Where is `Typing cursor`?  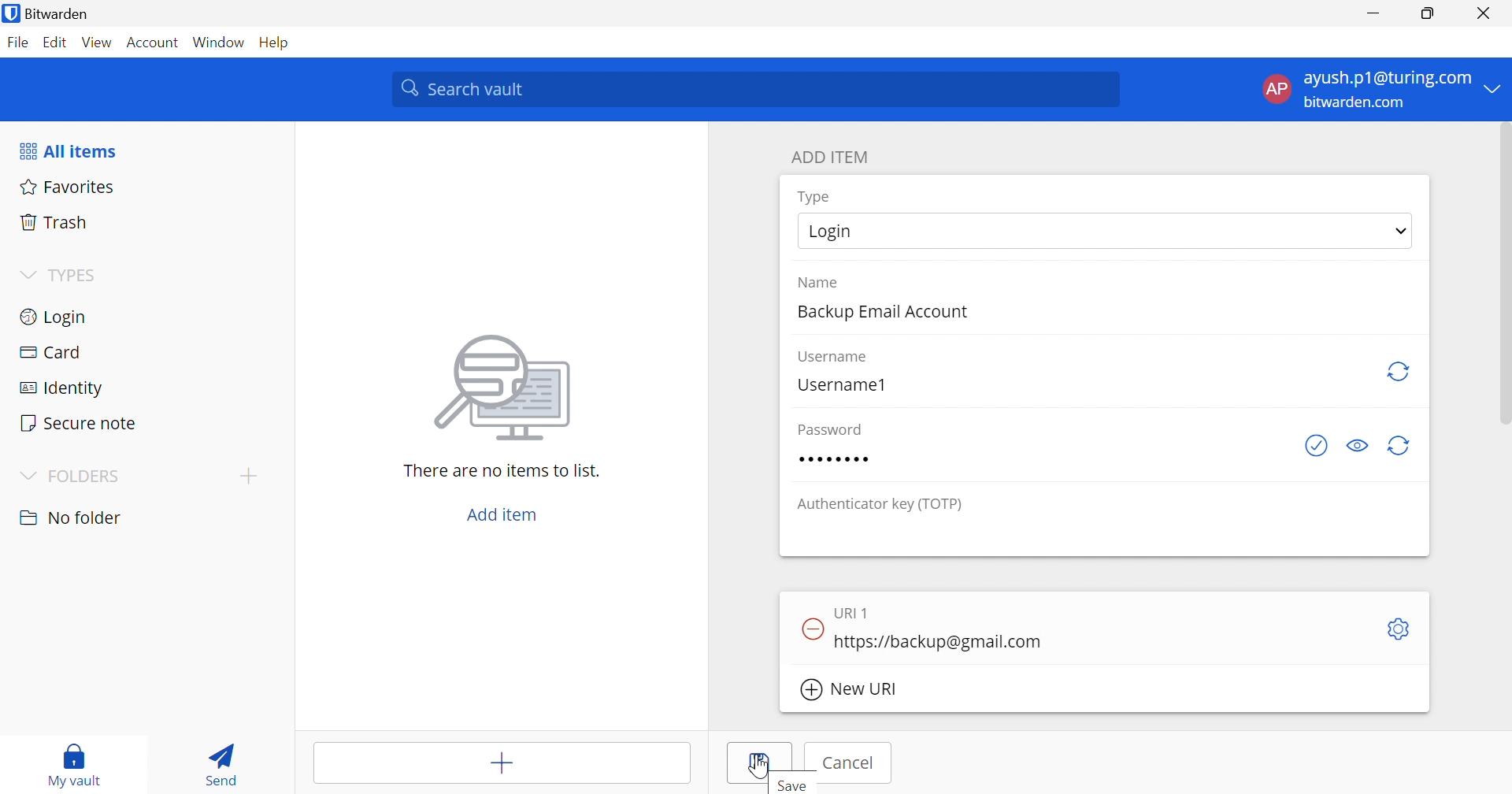 Typing cursor is located at coordinates (836, 641).